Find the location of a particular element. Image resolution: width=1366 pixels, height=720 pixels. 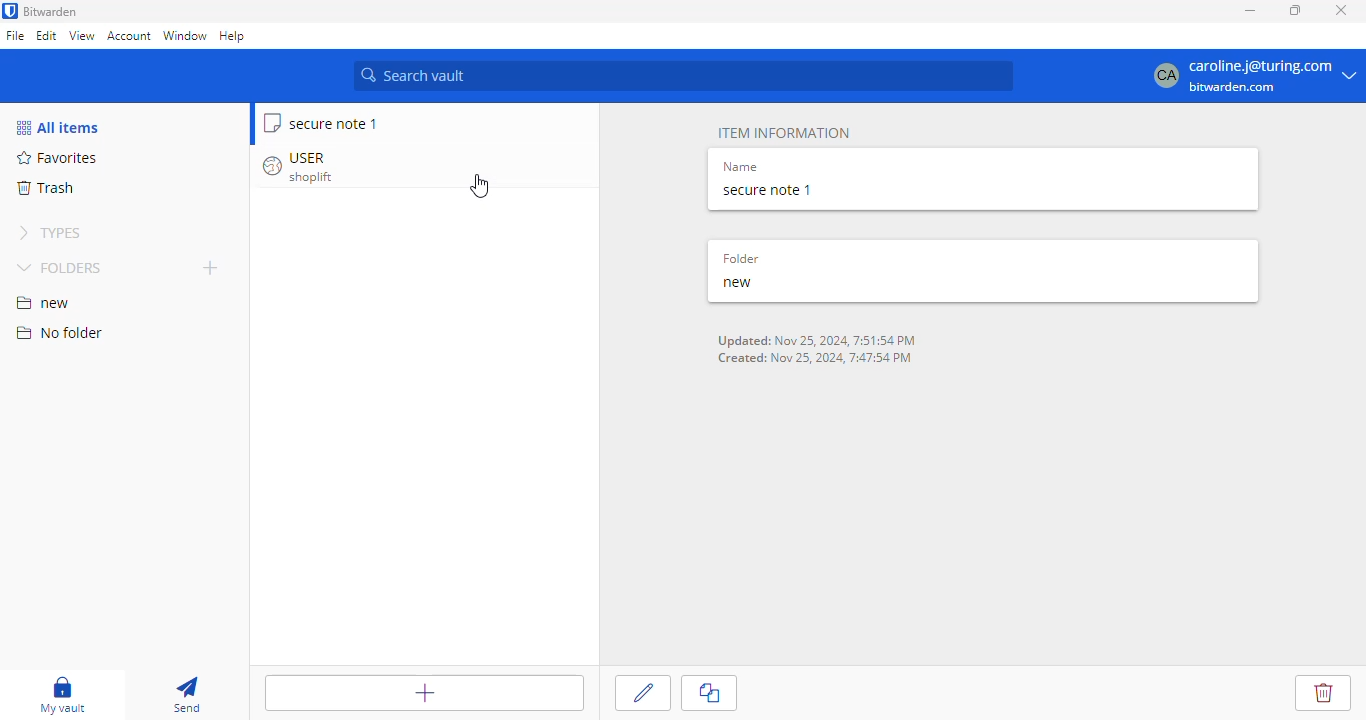

add folder is located at coordinates (211, 268).